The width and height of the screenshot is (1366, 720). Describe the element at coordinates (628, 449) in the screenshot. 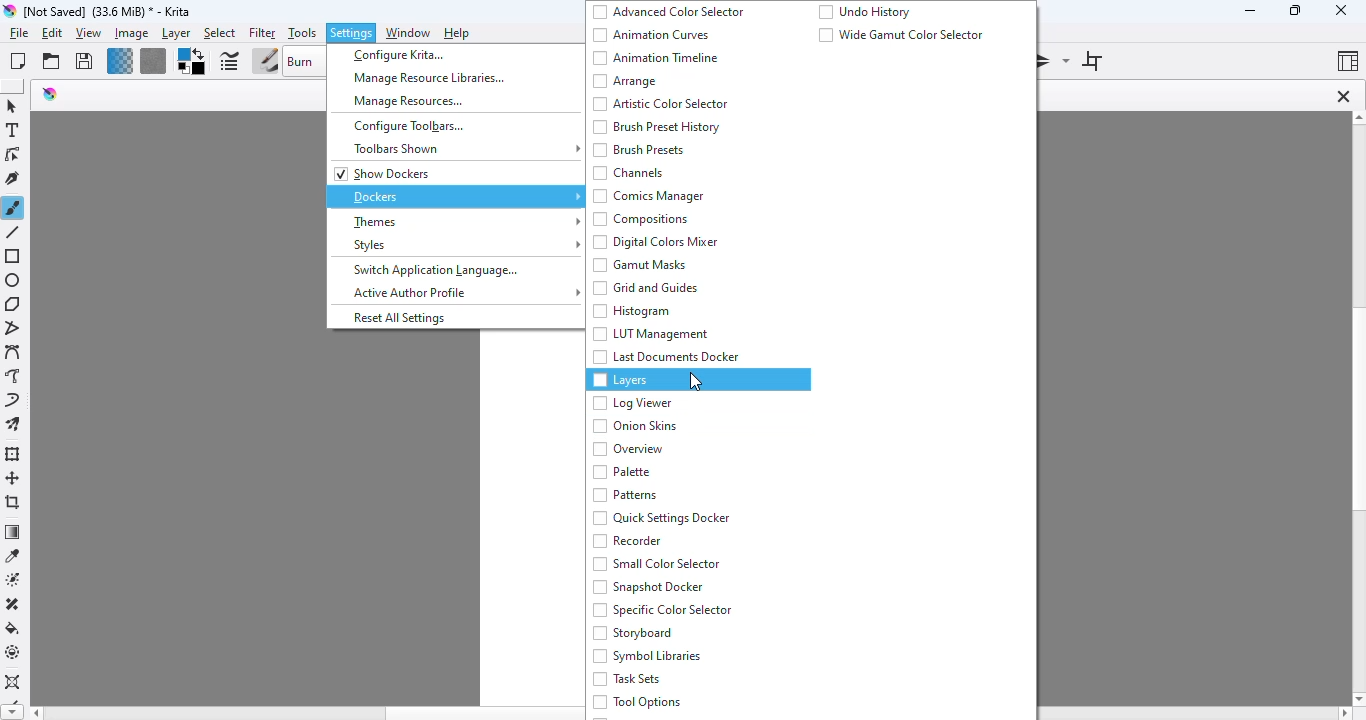

I see `overview` at that location.